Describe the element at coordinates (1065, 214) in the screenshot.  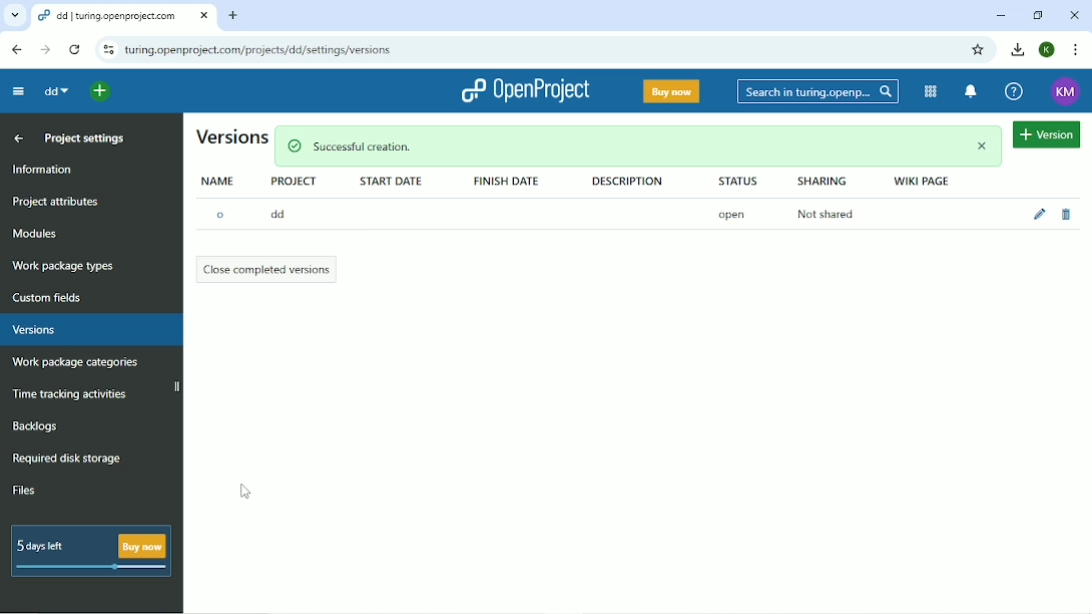
I see `Delete` at that location.